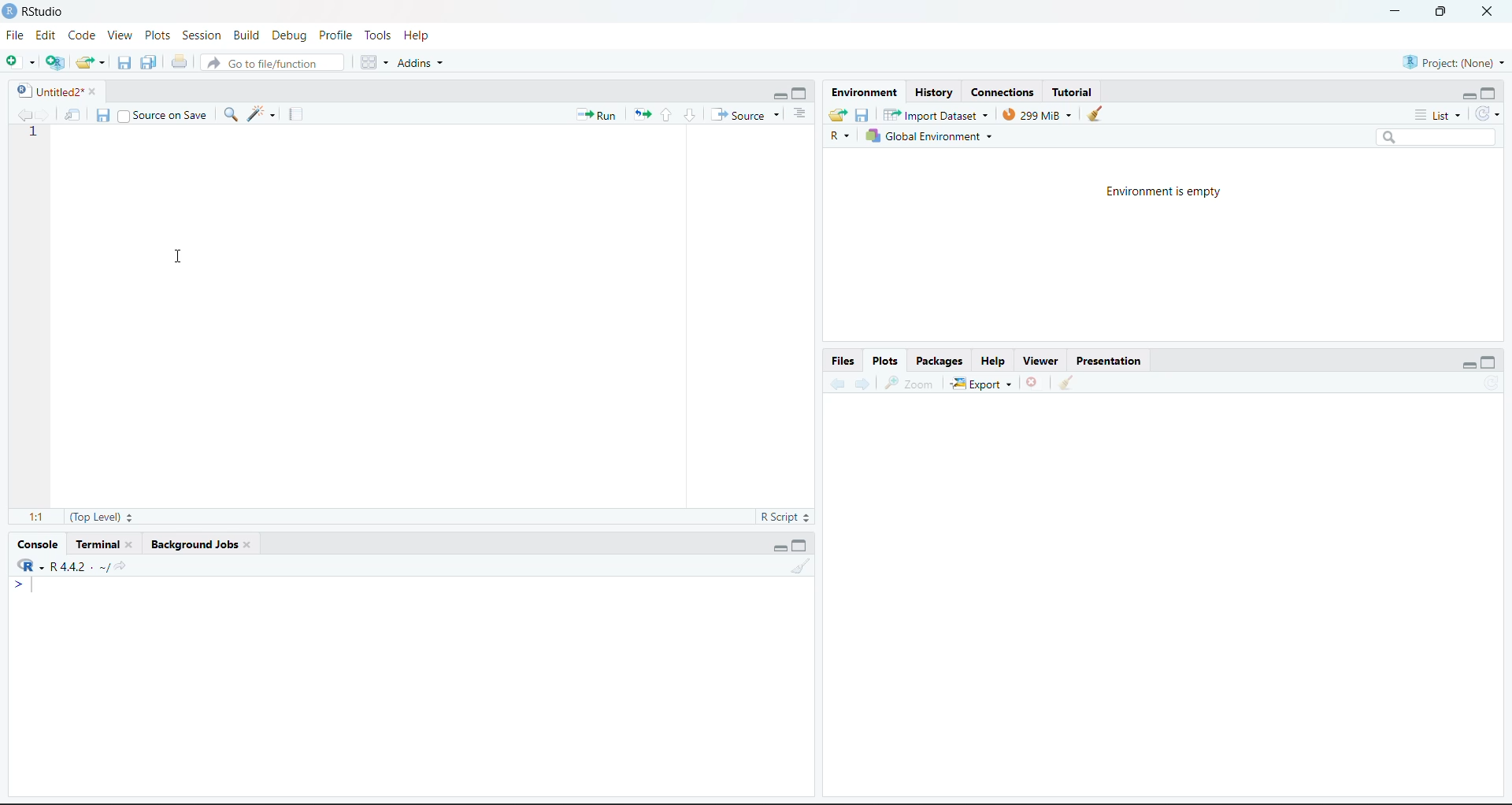 This screenshot has width=1512, height=805. I want to click on go to previous section/chunk, so click(665, 116).